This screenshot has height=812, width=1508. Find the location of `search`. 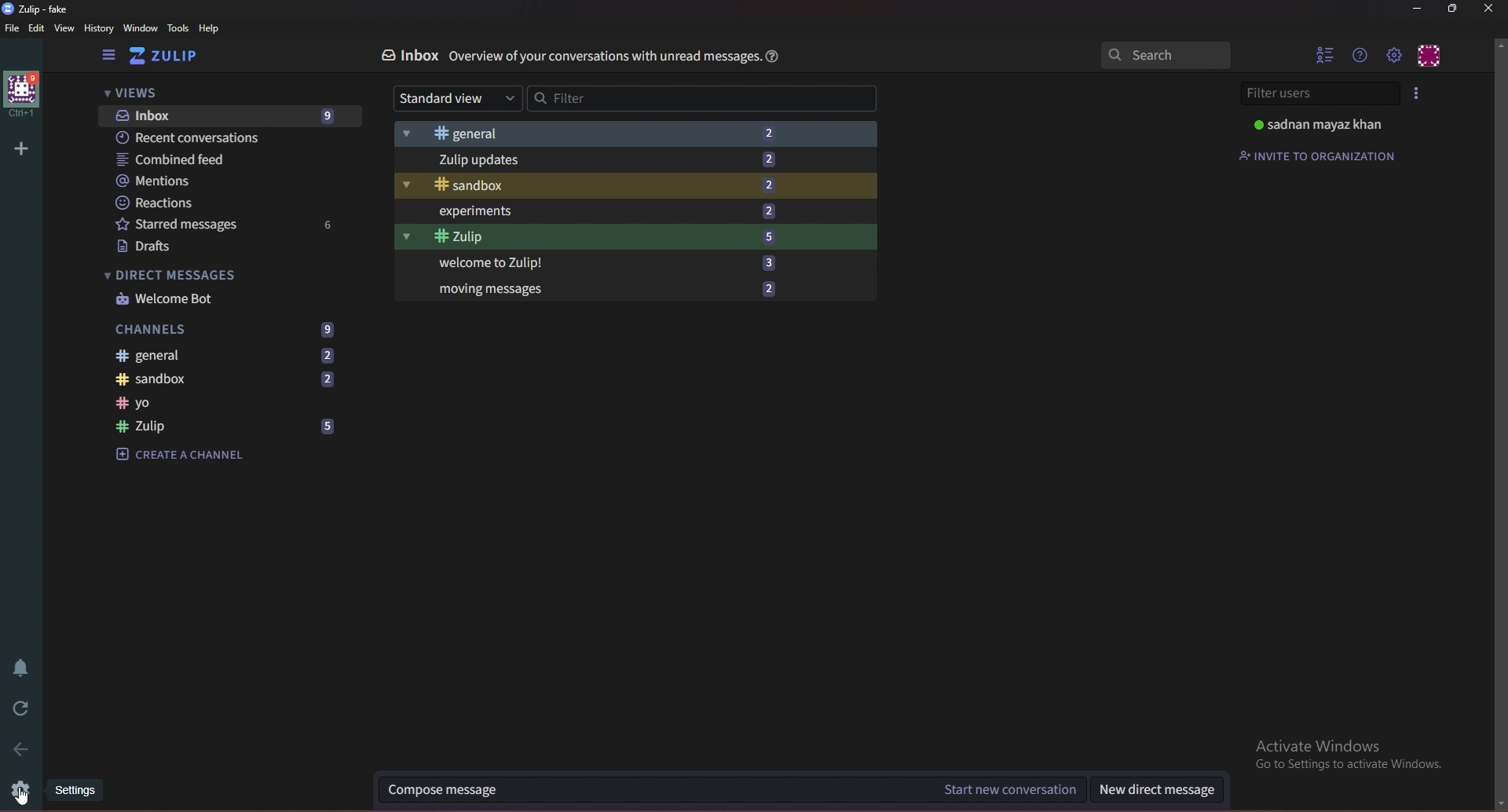

search is located at coordinates (1165, 55).